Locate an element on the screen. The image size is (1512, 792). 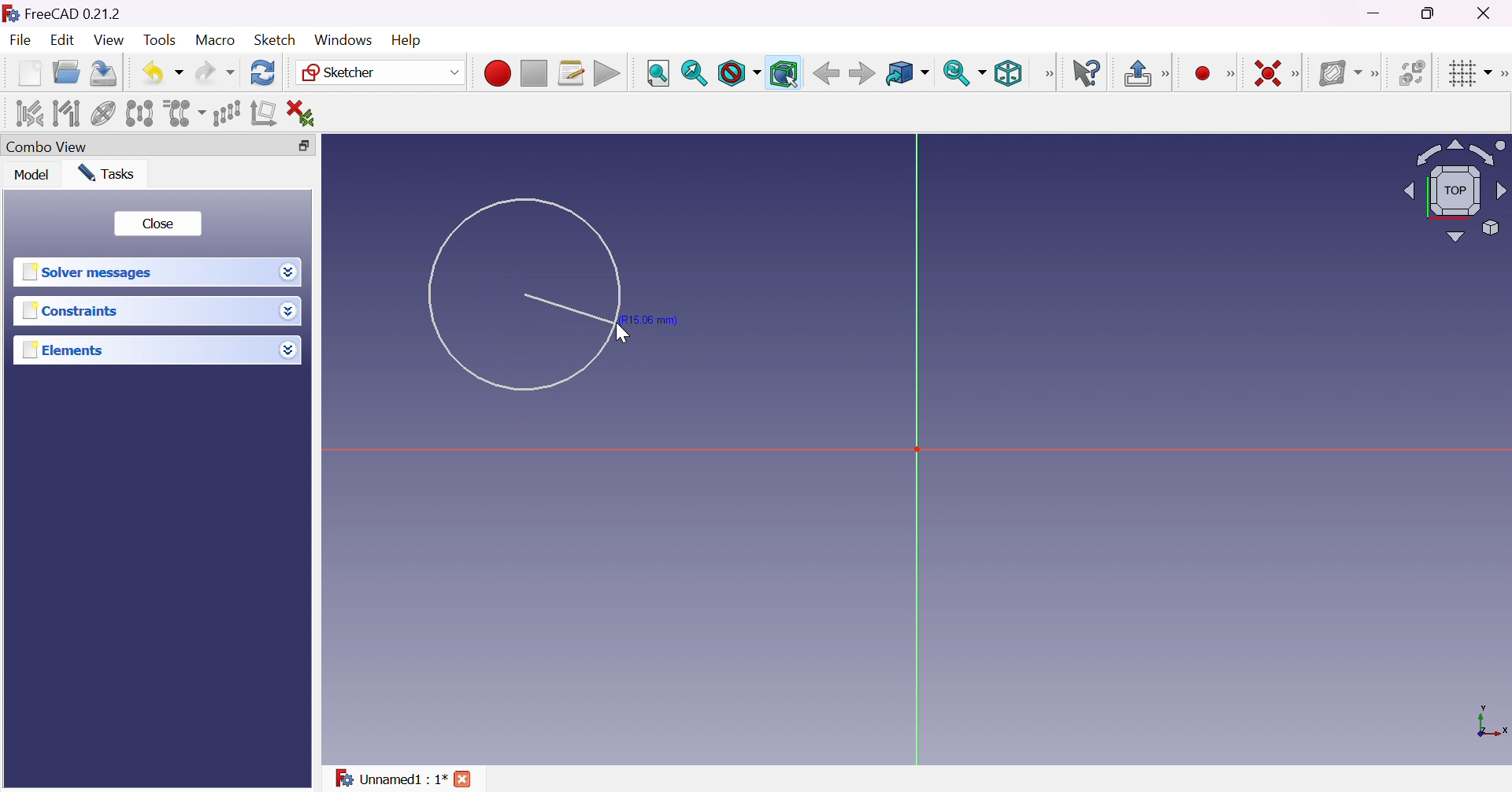
Fit all is located at coordinates (658, 74).